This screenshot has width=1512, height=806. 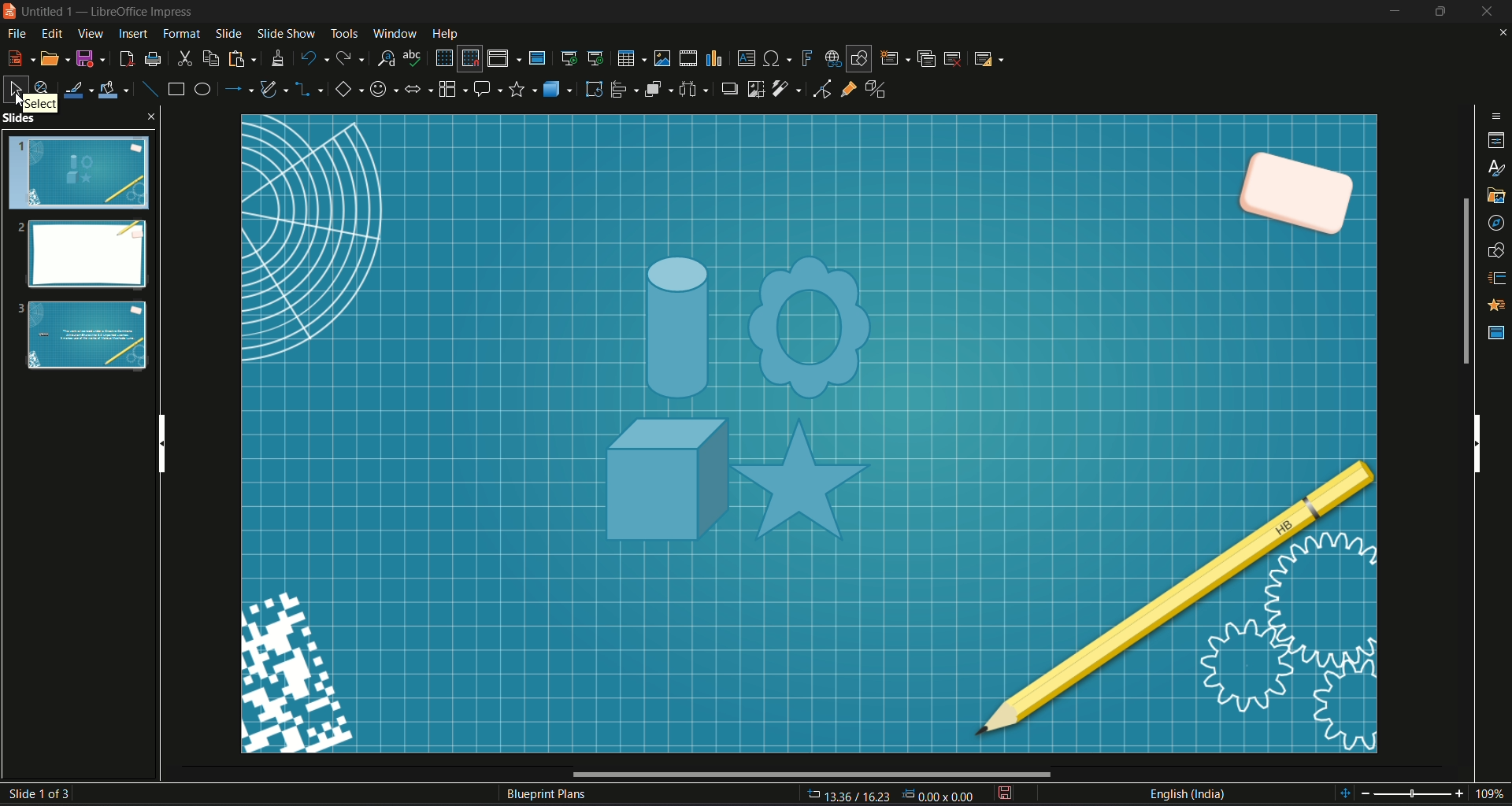 I want to click on insert line, so click(x=149, y=89).